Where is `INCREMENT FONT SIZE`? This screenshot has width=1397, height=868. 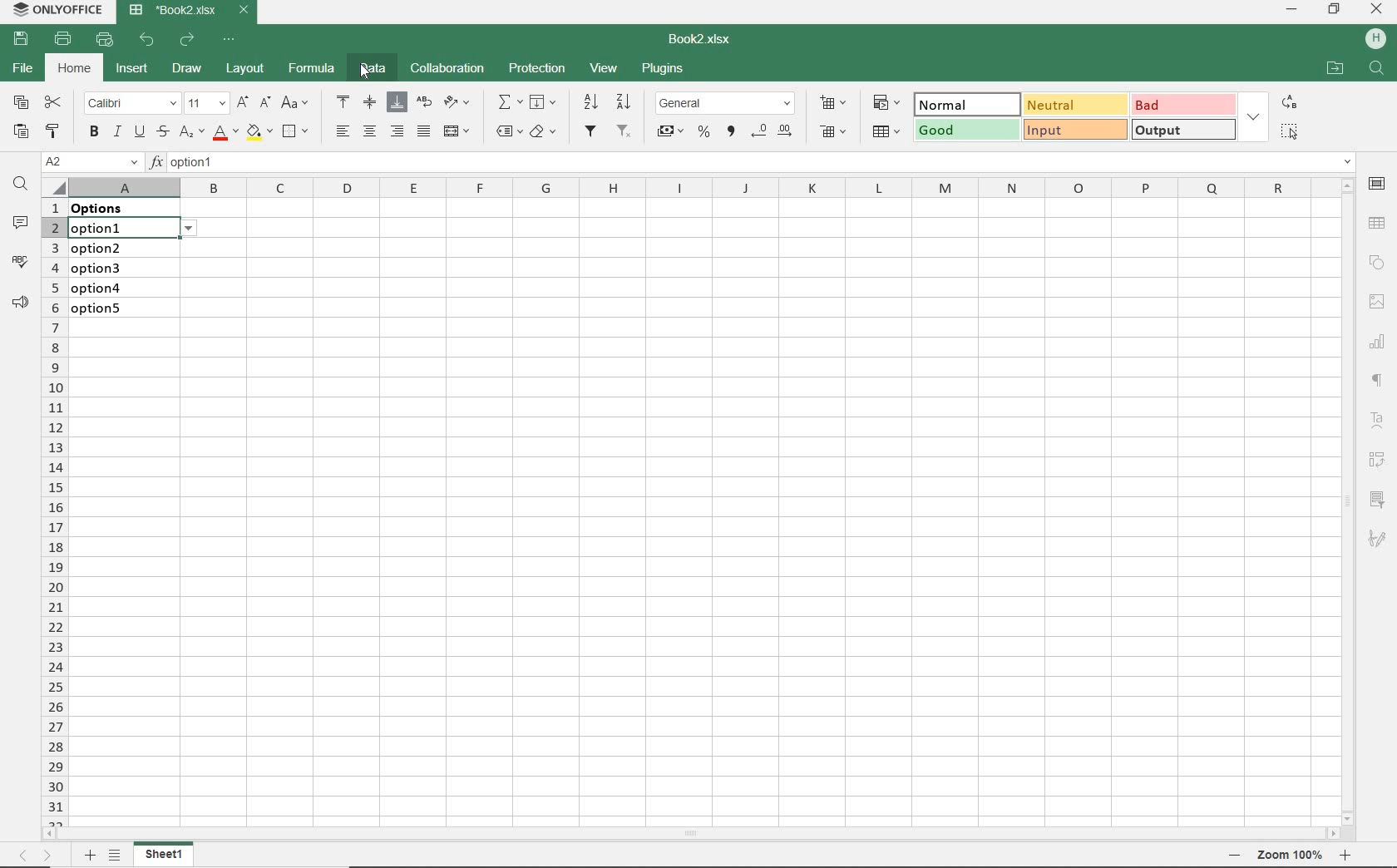 INCREMENT FONT SIZE is located at coordinates (244, 104).